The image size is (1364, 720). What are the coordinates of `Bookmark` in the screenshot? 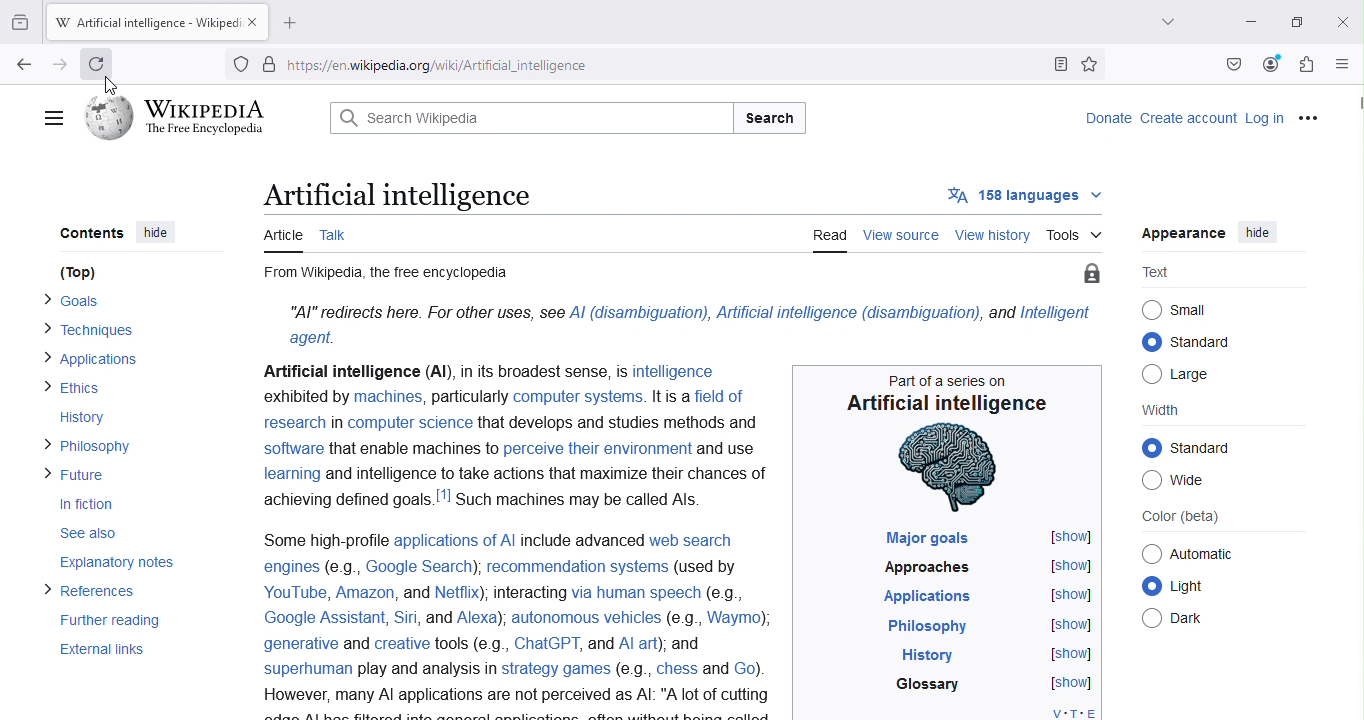 It's located at (1087, 65).